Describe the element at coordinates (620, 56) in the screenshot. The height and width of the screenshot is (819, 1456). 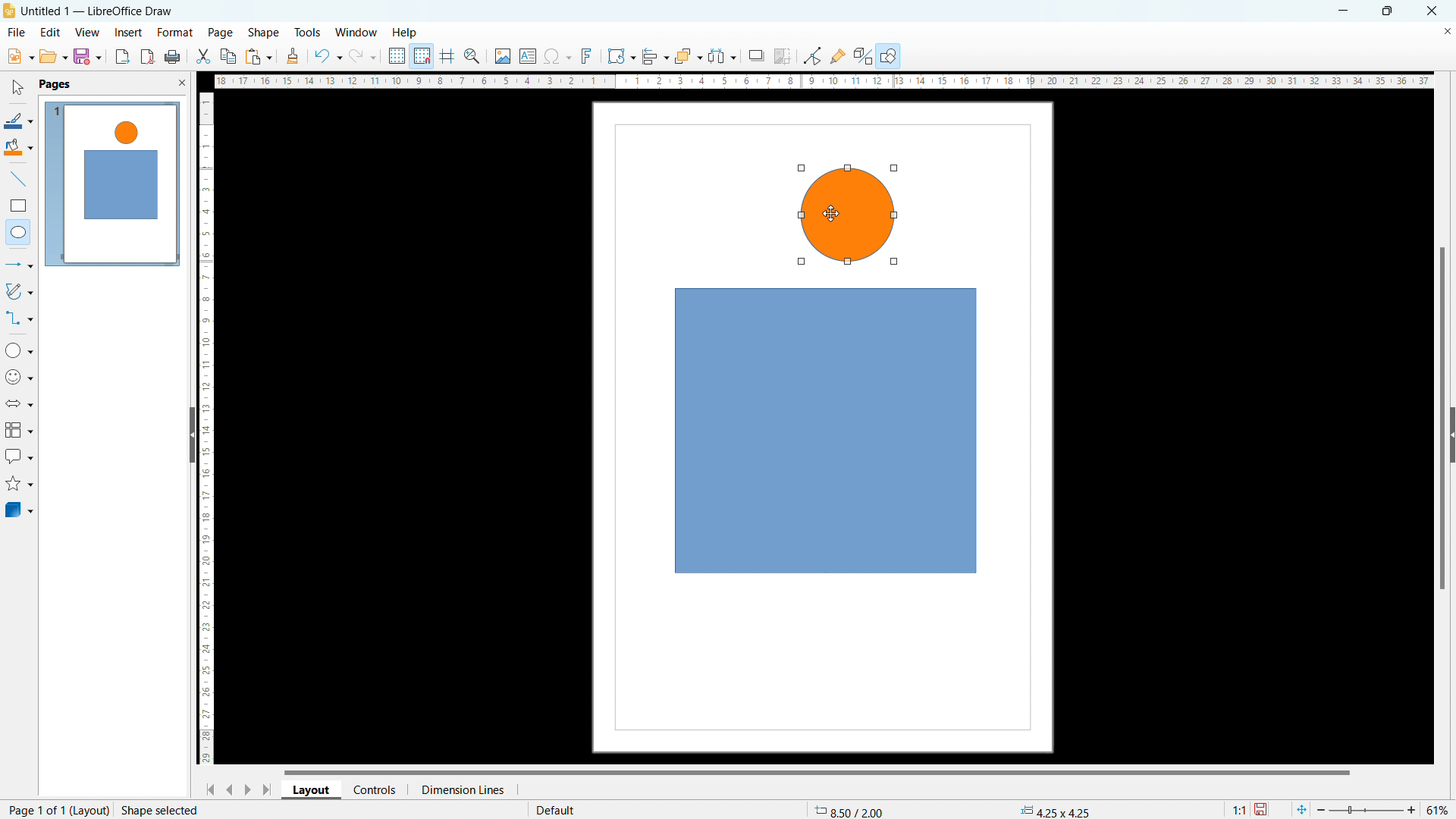
I see `transformations` at that location.